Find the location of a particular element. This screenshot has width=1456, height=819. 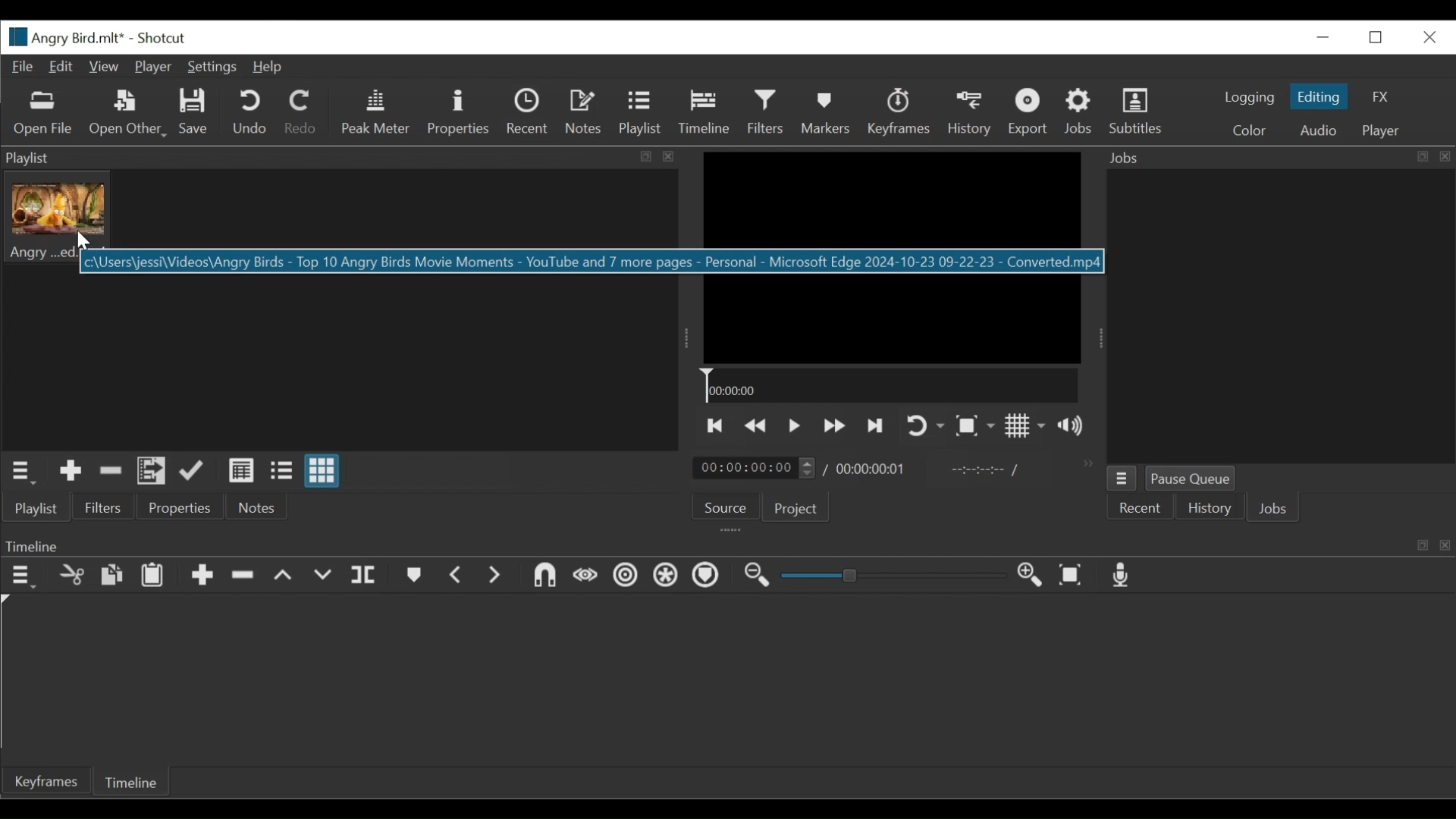

Paste is located at coordinates (152, 577).